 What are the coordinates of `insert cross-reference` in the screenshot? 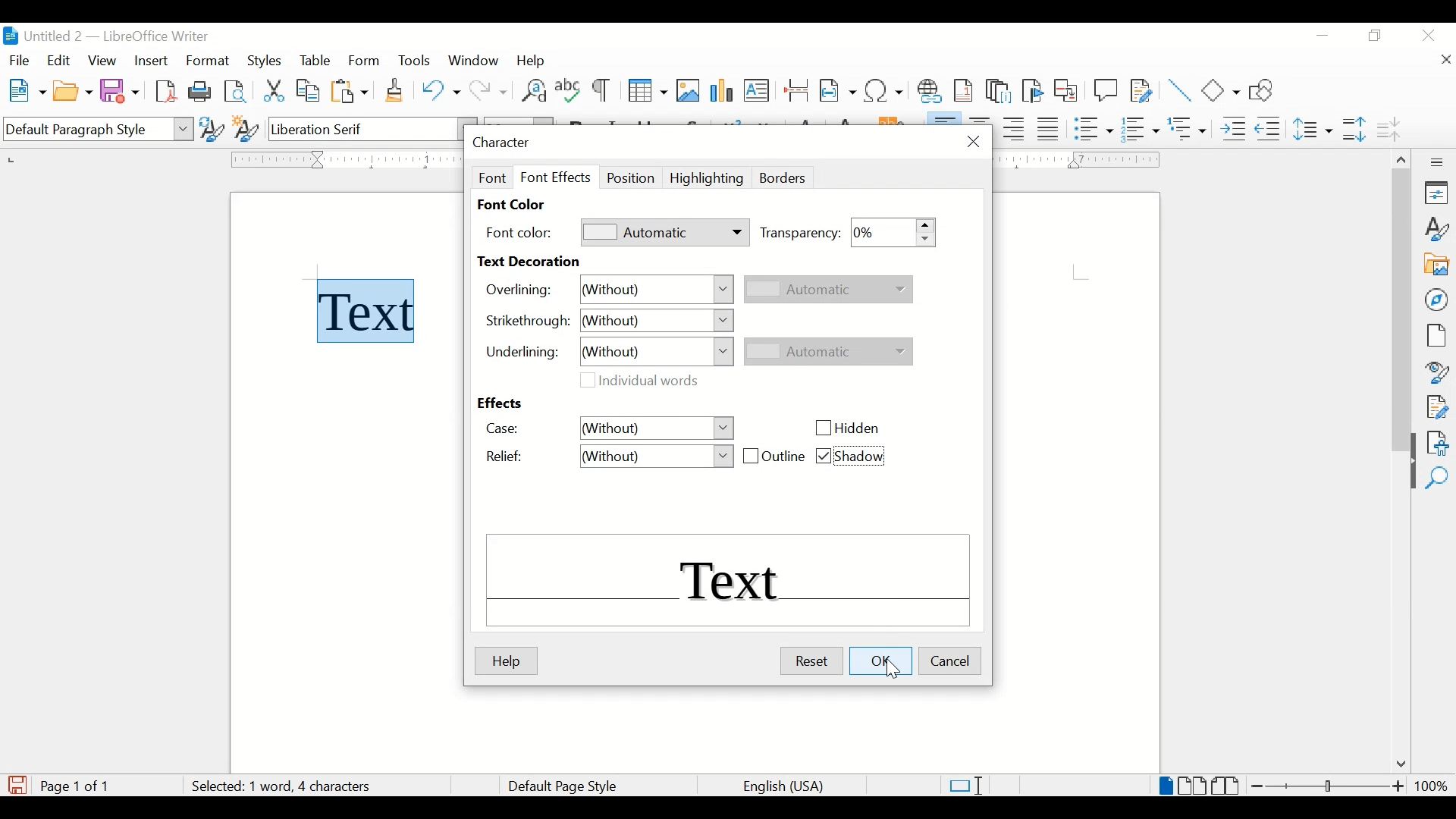 It's located at (1066, 89).